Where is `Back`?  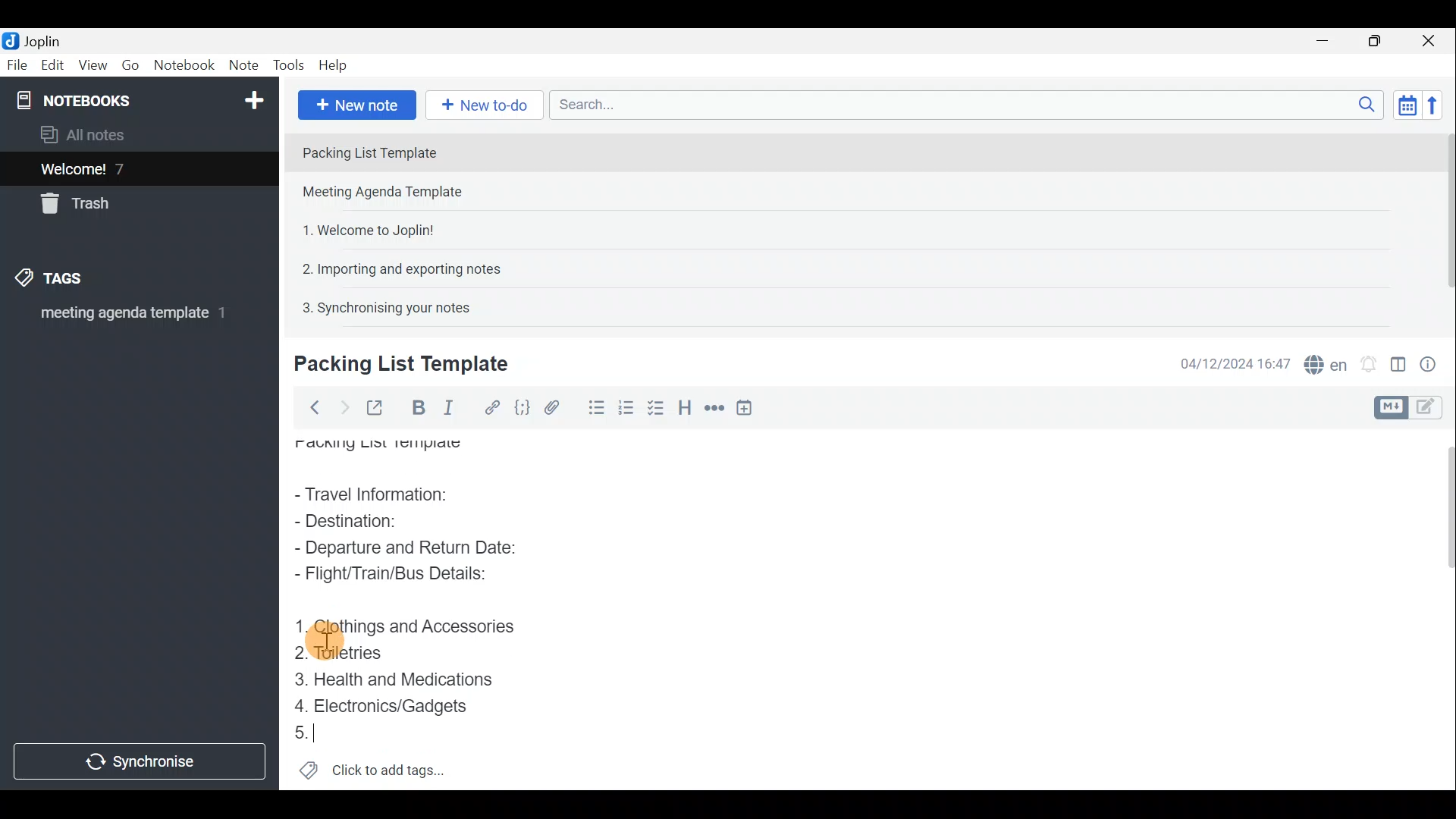
Back is located at coordinates (312, 407).